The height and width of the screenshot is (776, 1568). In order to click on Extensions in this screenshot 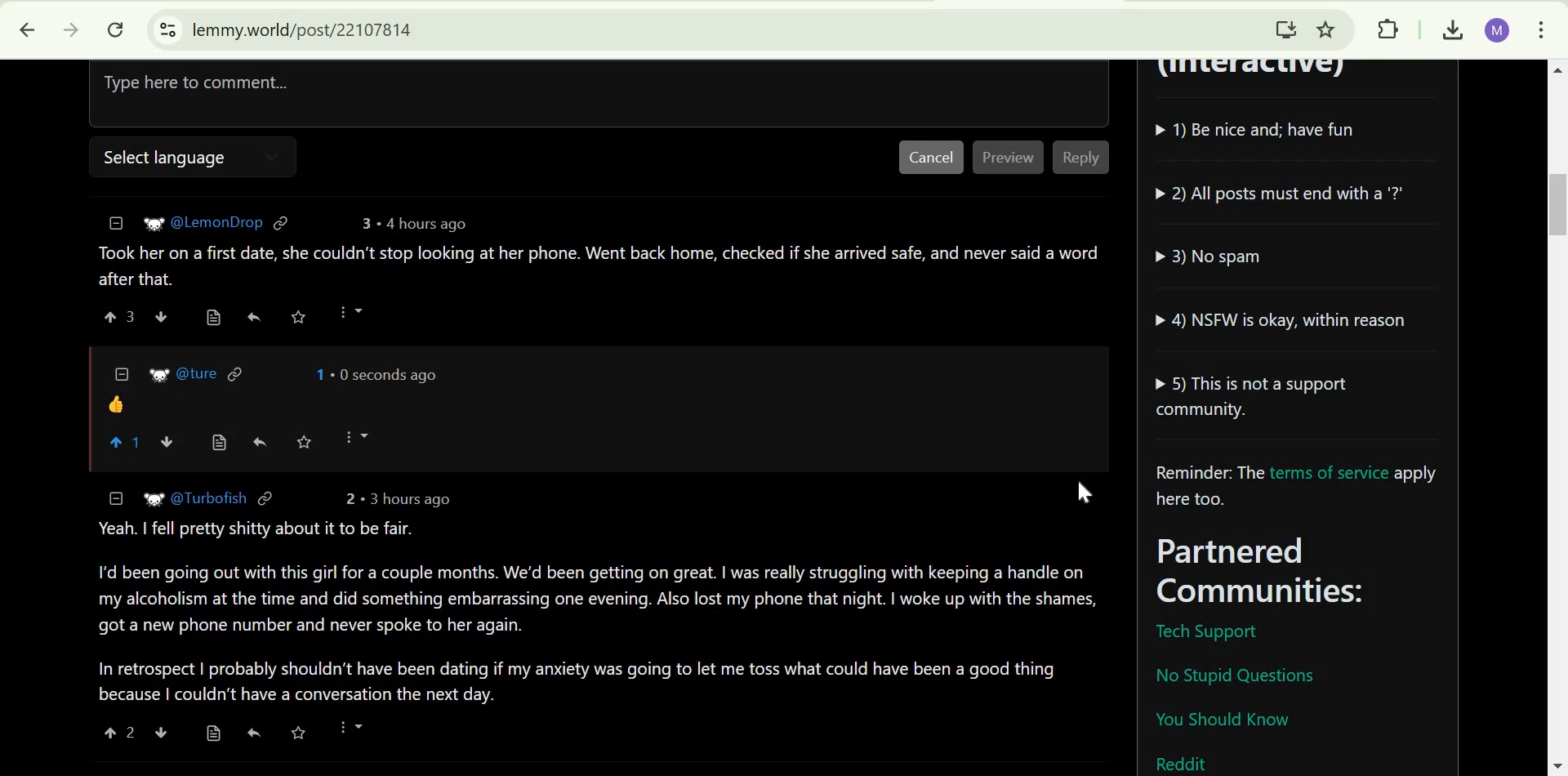, I will do `click(1388, 29)`.